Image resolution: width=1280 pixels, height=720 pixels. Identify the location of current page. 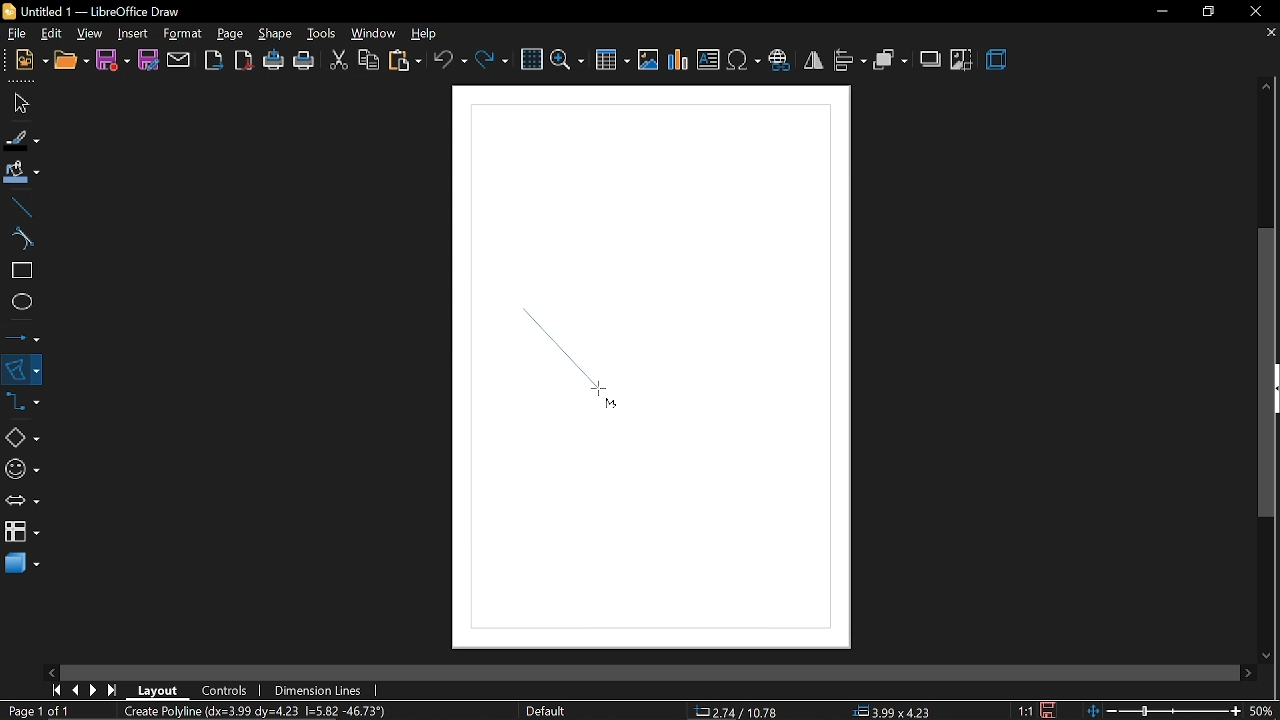
(42, 711).